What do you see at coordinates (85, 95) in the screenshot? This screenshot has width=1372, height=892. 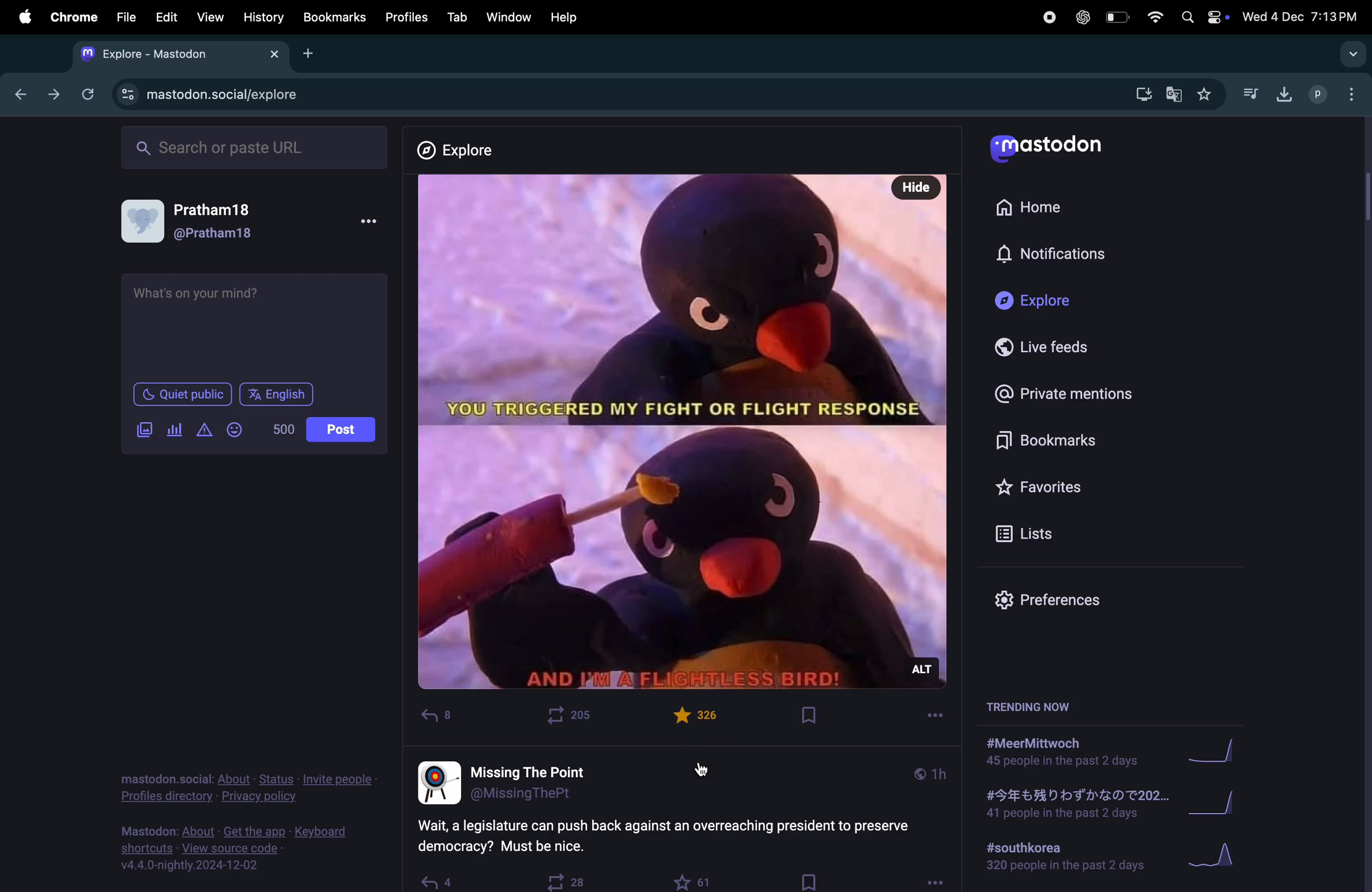 I see `refresh` at bounding box center [85, 95].